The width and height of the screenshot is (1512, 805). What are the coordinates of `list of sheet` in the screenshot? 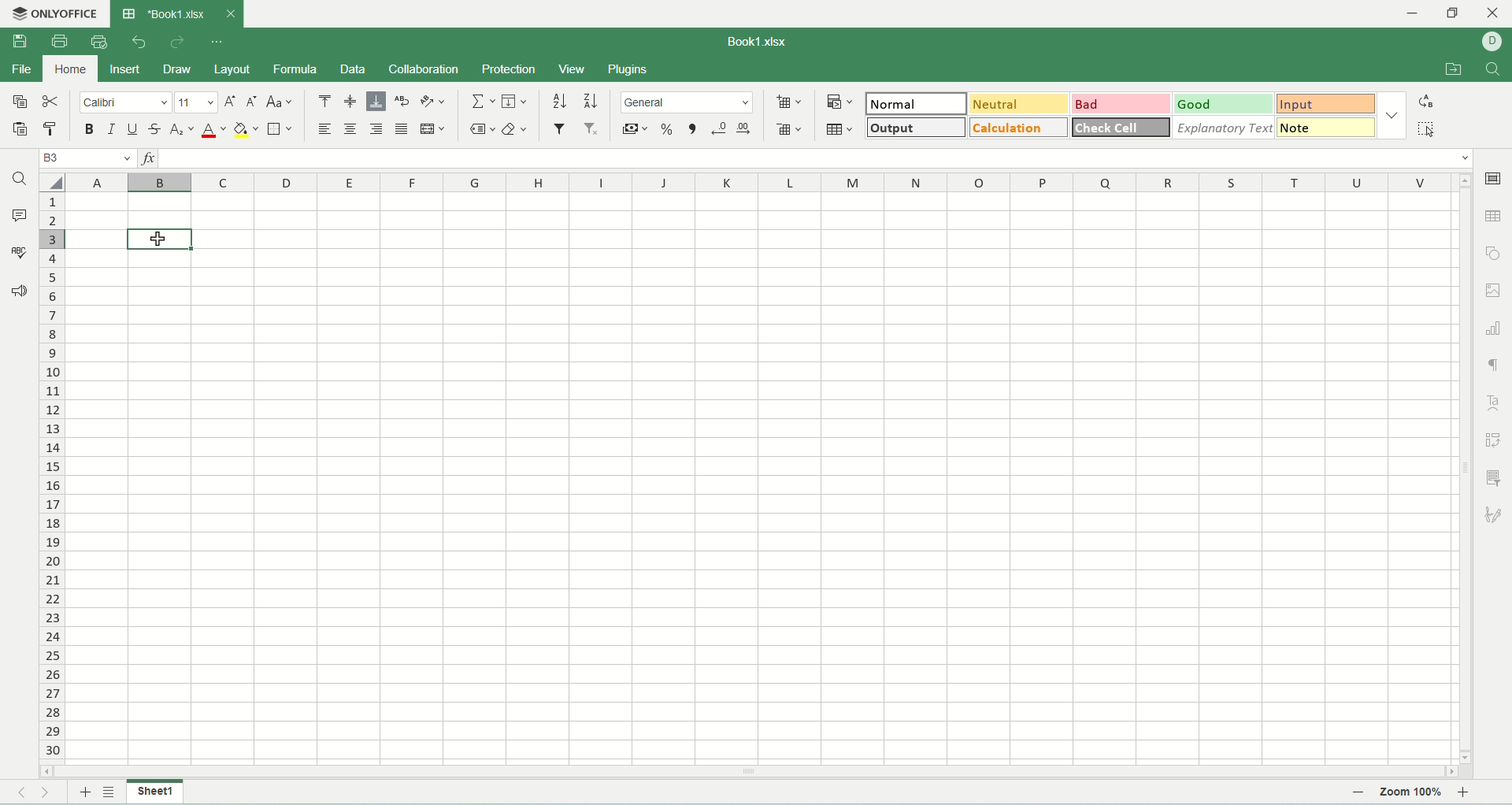 It's located at (109, 792).